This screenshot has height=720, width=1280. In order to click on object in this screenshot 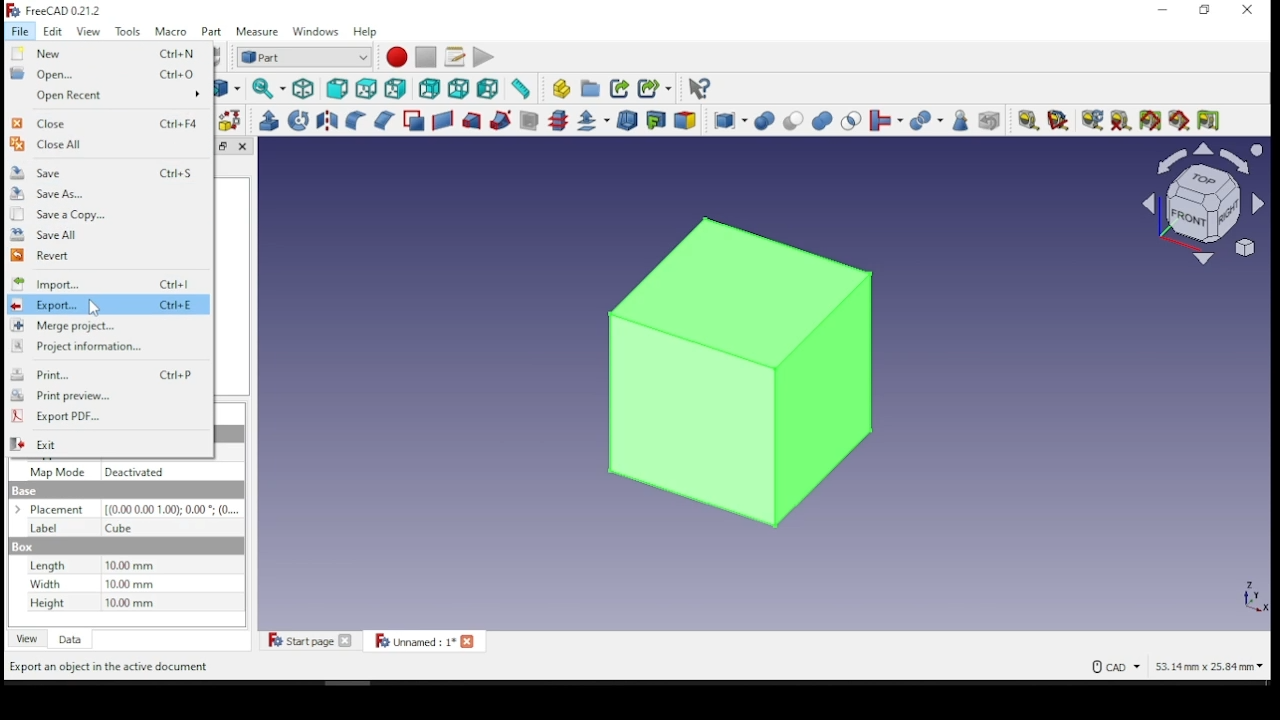, I will do `click(740, 367)`.